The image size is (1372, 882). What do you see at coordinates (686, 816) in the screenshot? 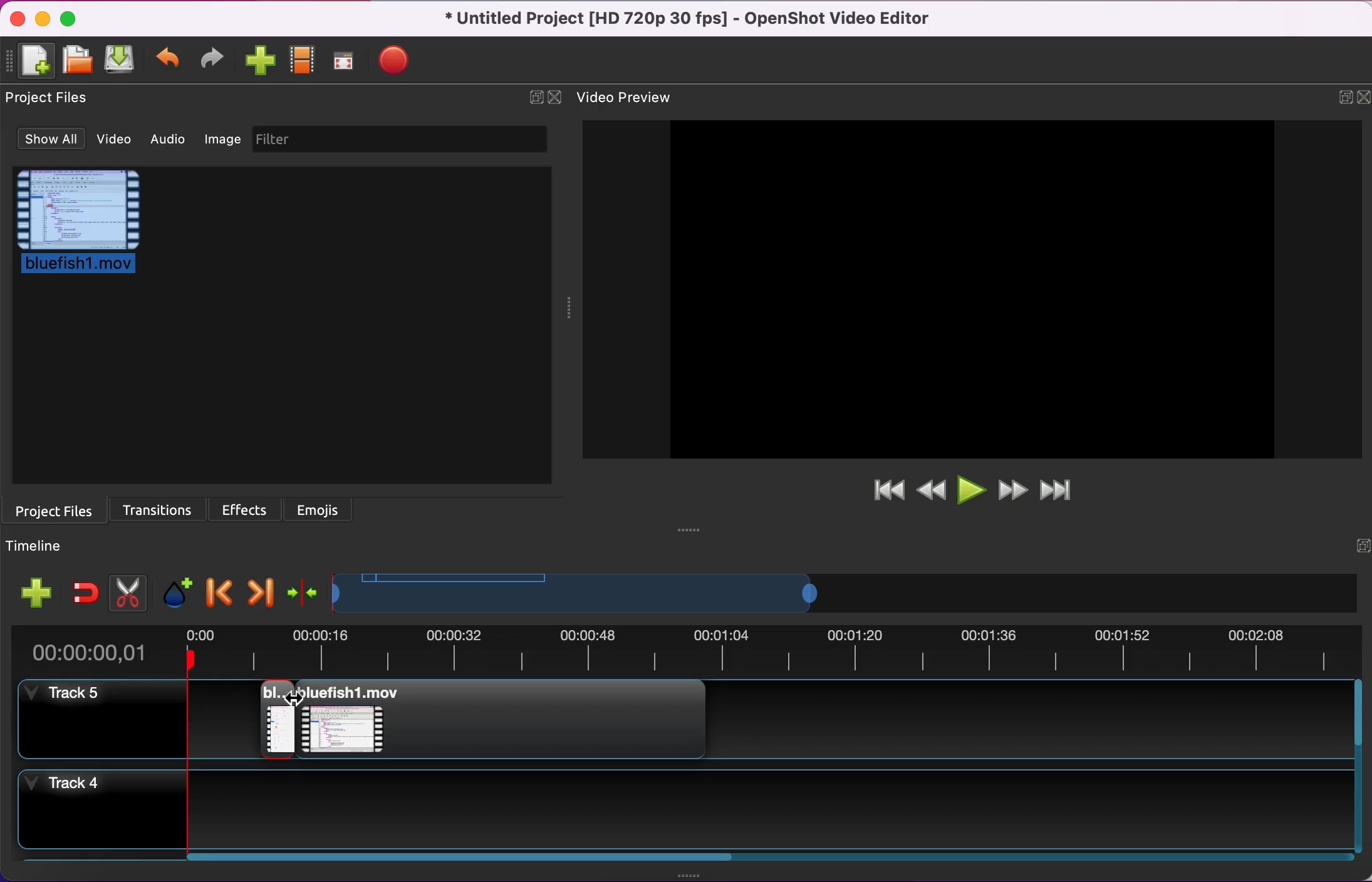
I see `track 4` at bounding box center [686, 816].